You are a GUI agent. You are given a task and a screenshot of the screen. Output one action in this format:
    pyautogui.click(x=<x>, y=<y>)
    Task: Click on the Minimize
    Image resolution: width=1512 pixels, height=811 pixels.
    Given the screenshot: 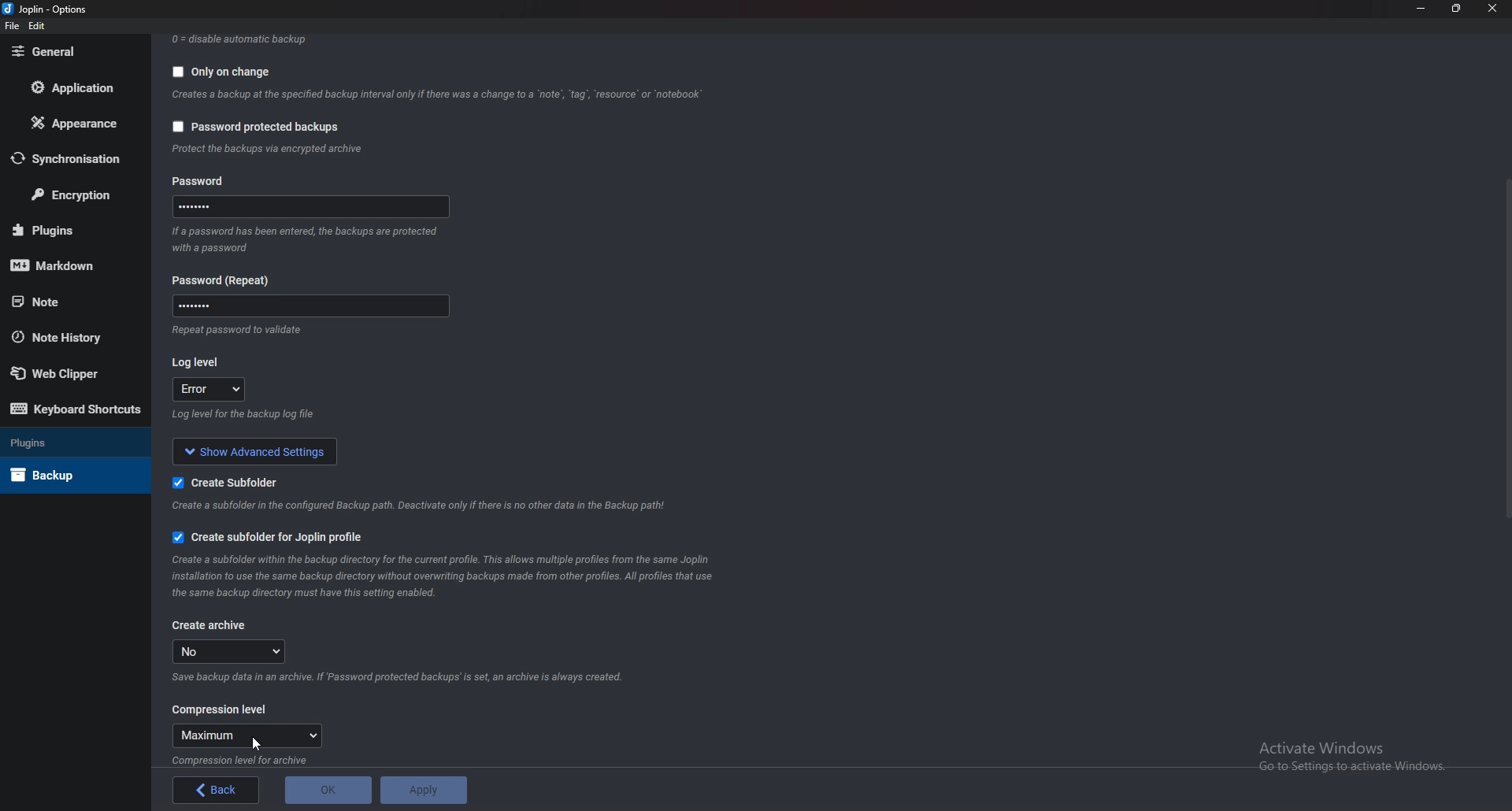 What is the action you would take?
    pyautogui.click(x=1423, y=8)
    